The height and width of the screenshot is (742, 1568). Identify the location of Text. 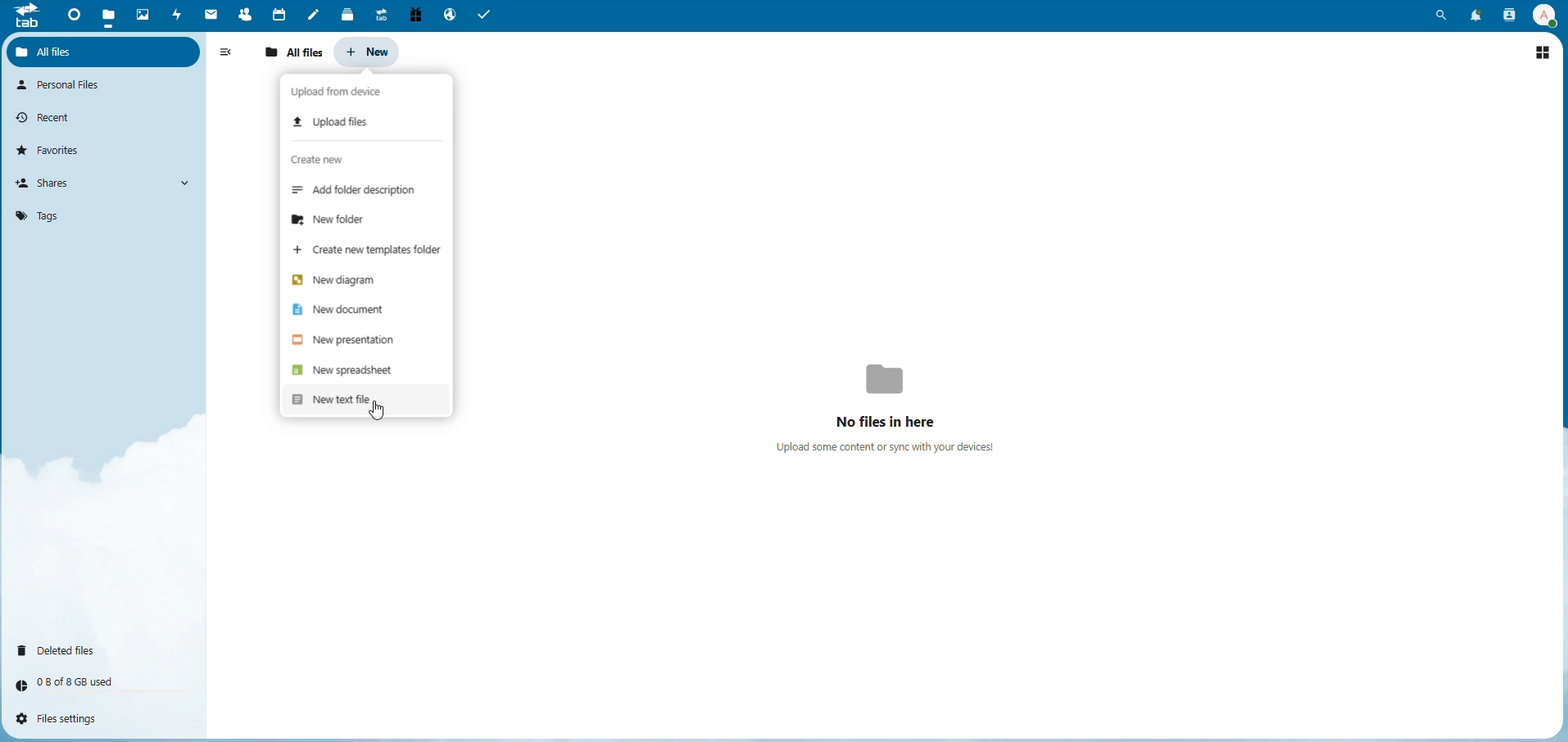
(895, 402).